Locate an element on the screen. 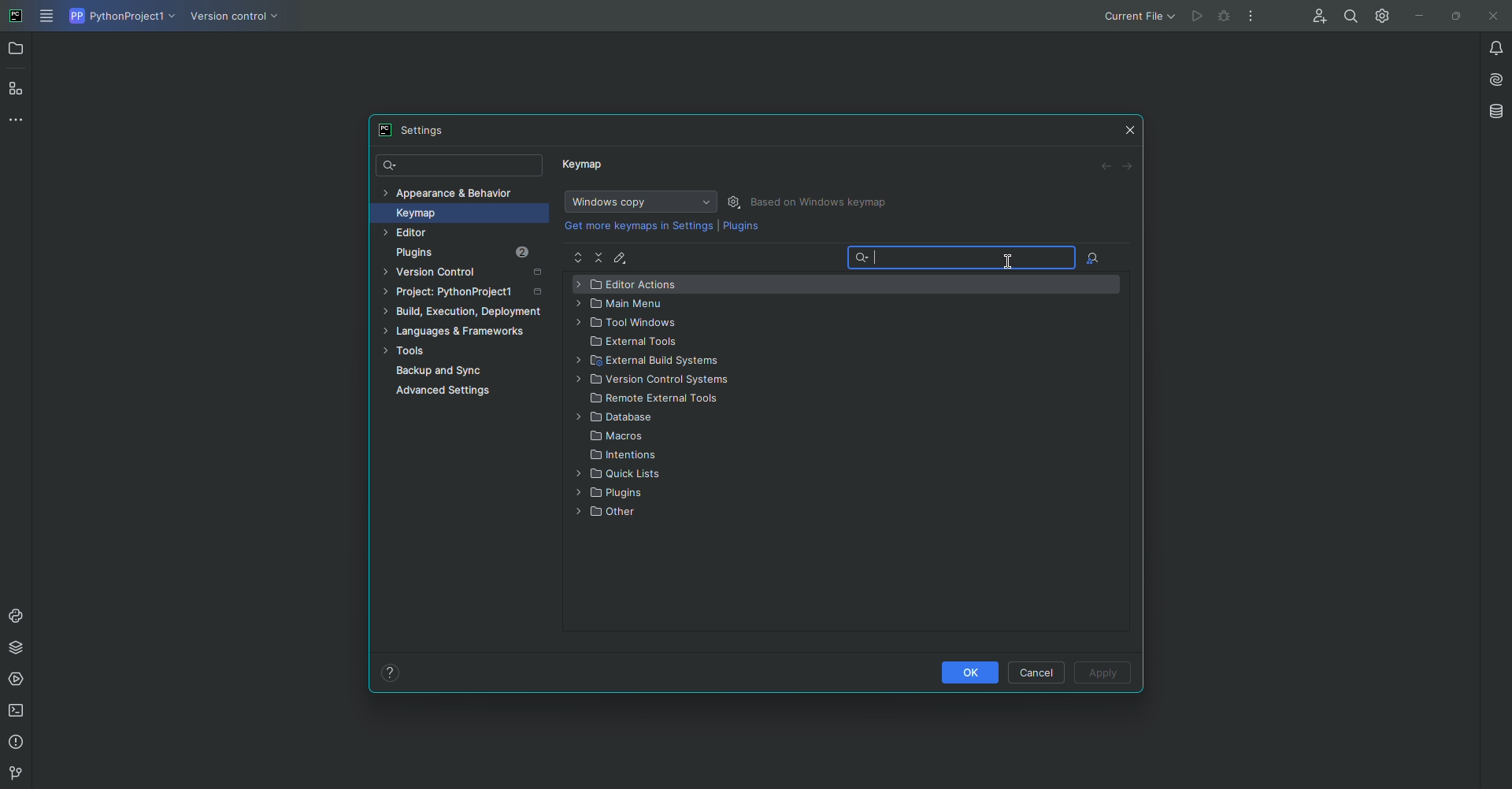 This screenshot has height=789, width=1512. Macros is located at coordinates (620, 437).